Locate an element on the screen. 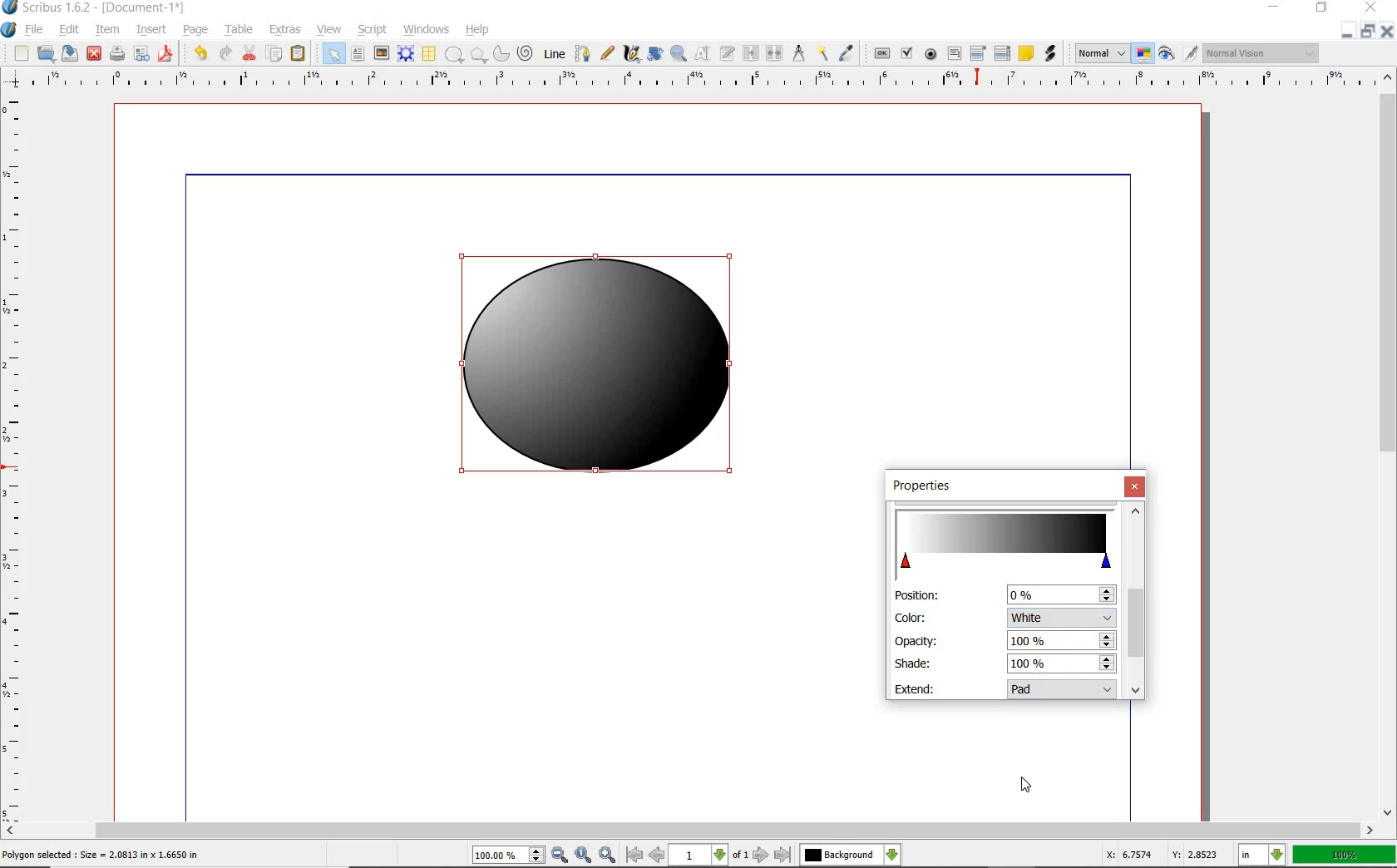  CLOSE is located at coordinates (1387, 32).